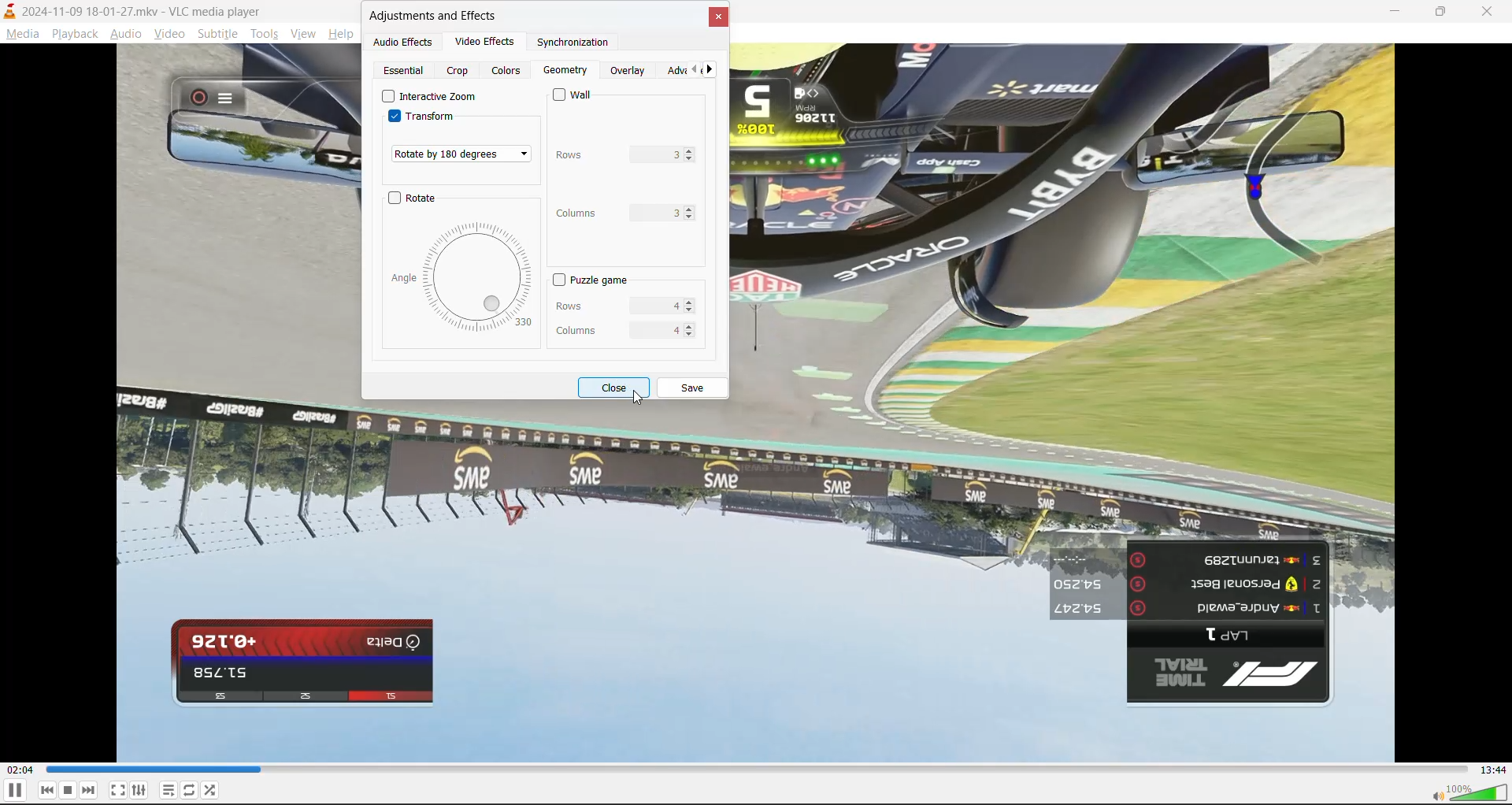  What do you see at coordinates (1489, 12) in the screenshot?
I see `close` at bounding box center [1489, 12].